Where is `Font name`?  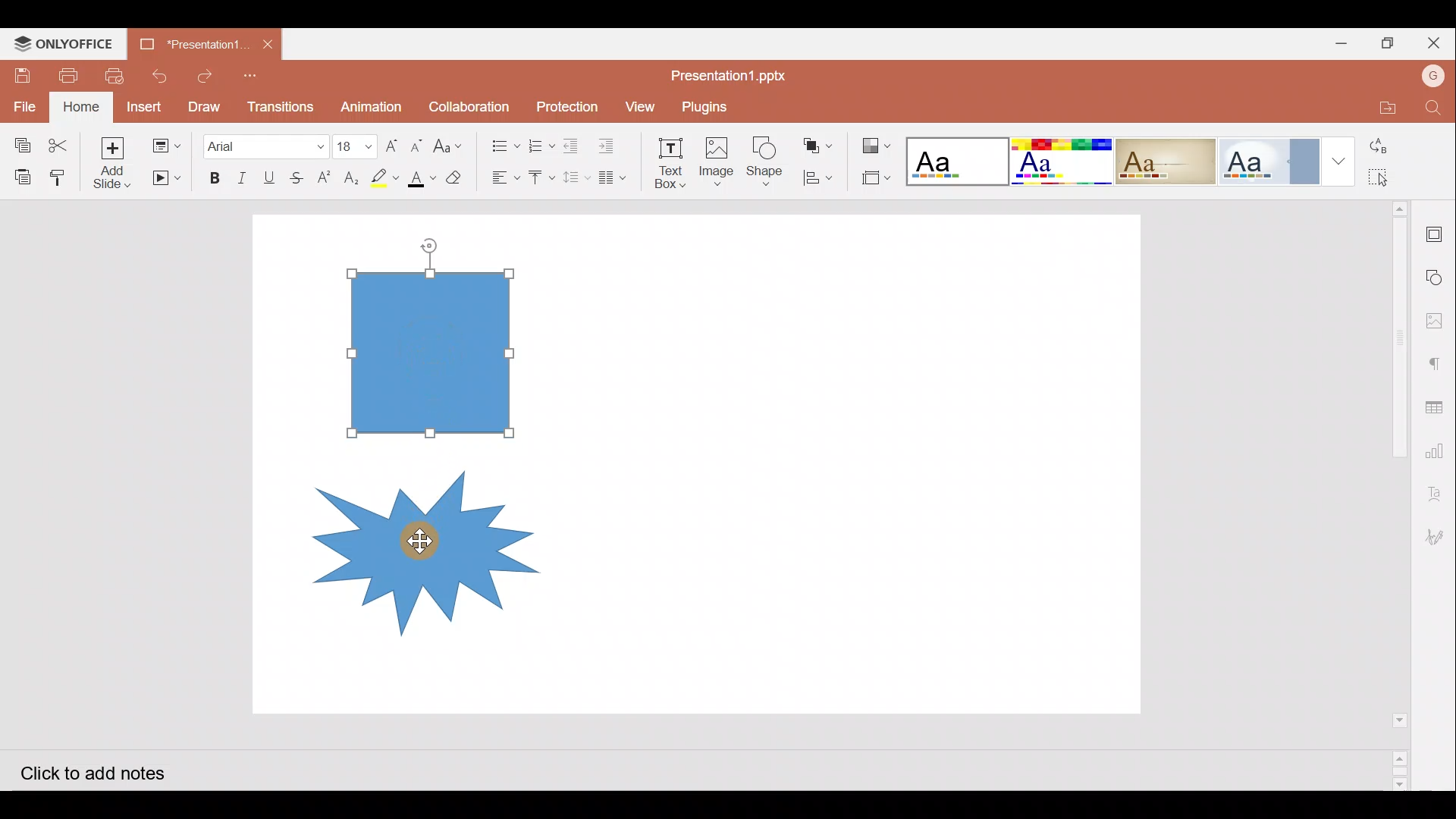 Font name is located at coordinates (264, 142).